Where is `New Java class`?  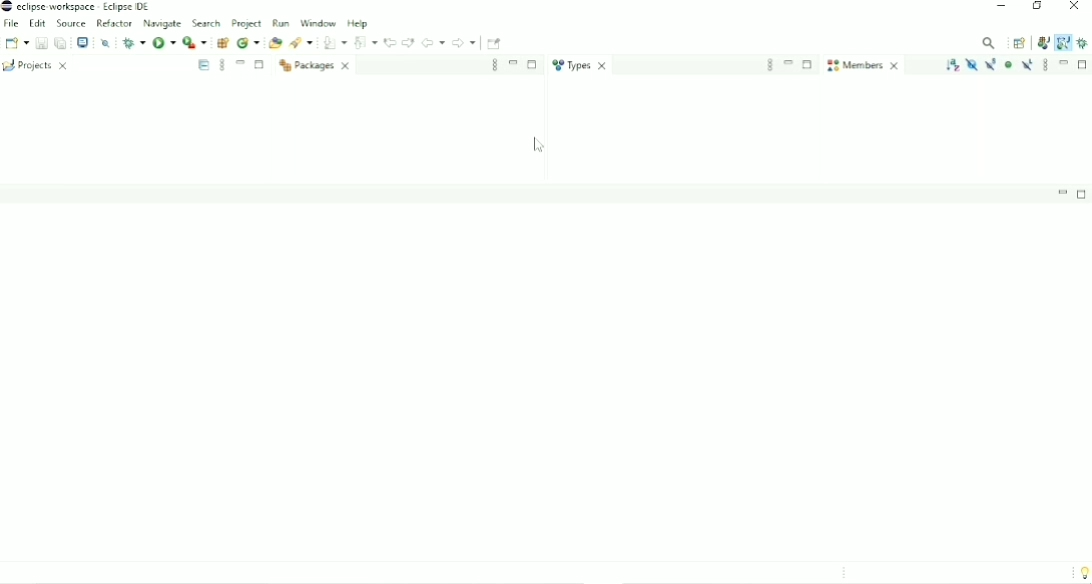
New Java class is located at coordinates (274, 42).